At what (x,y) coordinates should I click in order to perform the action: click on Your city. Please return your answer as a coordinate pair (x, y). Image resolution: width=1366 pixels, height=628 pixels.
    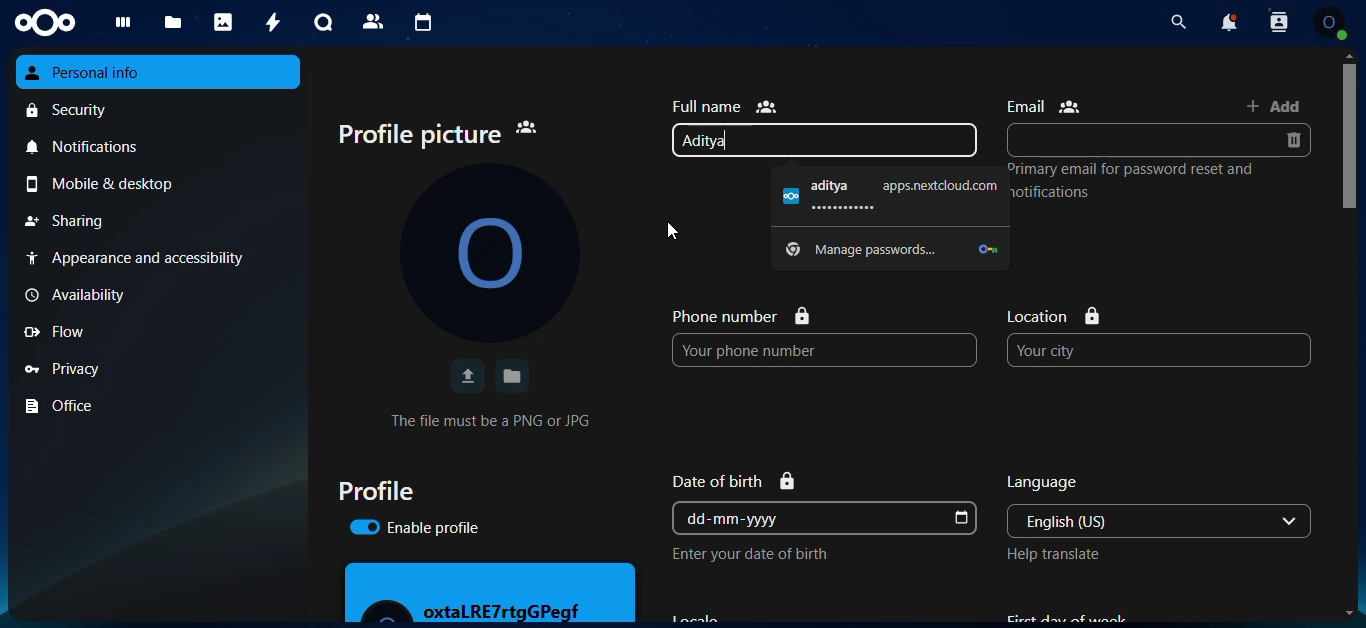
    Looking at the image, I should click on (1159, 350).